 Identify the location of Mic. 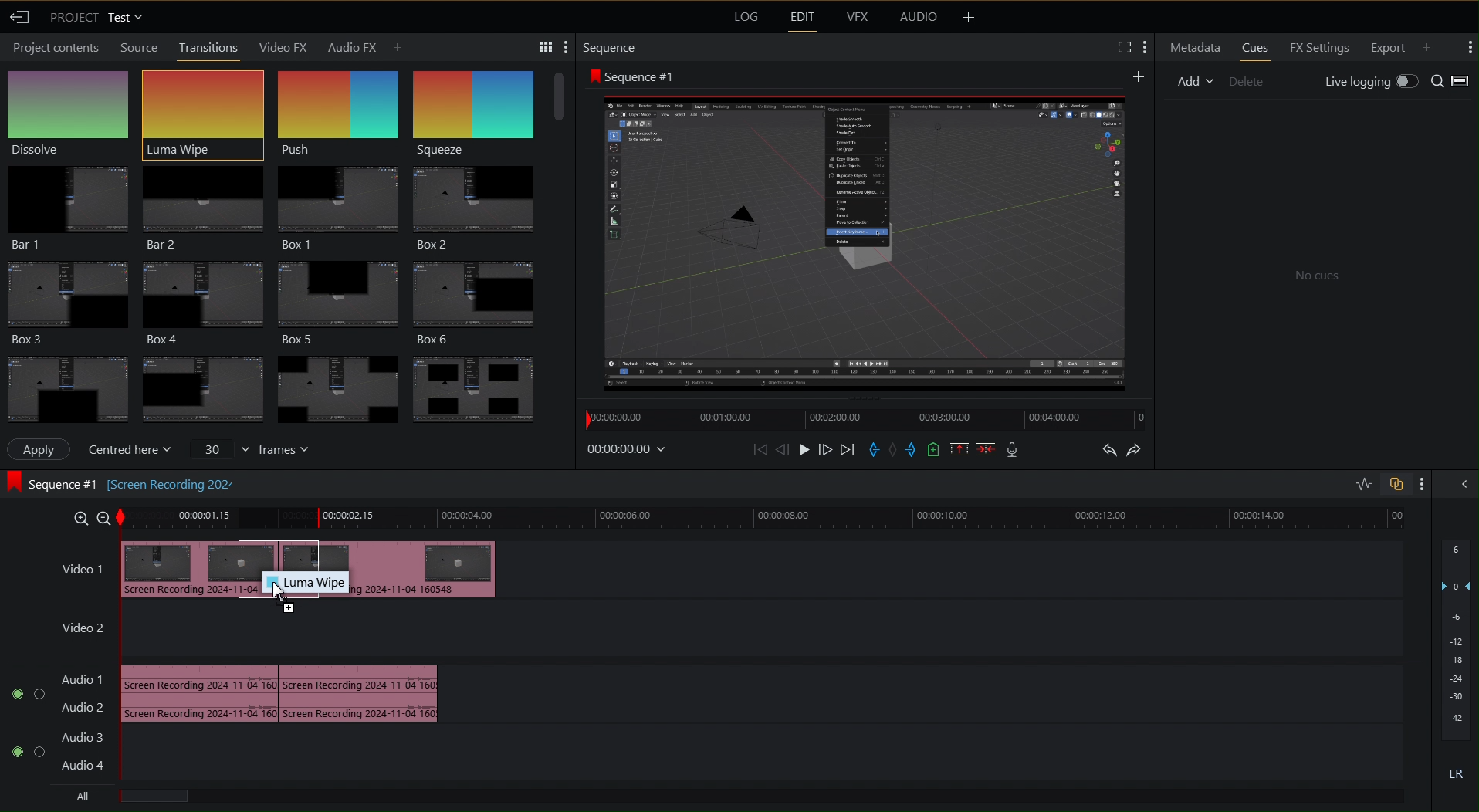
(1012, 449).